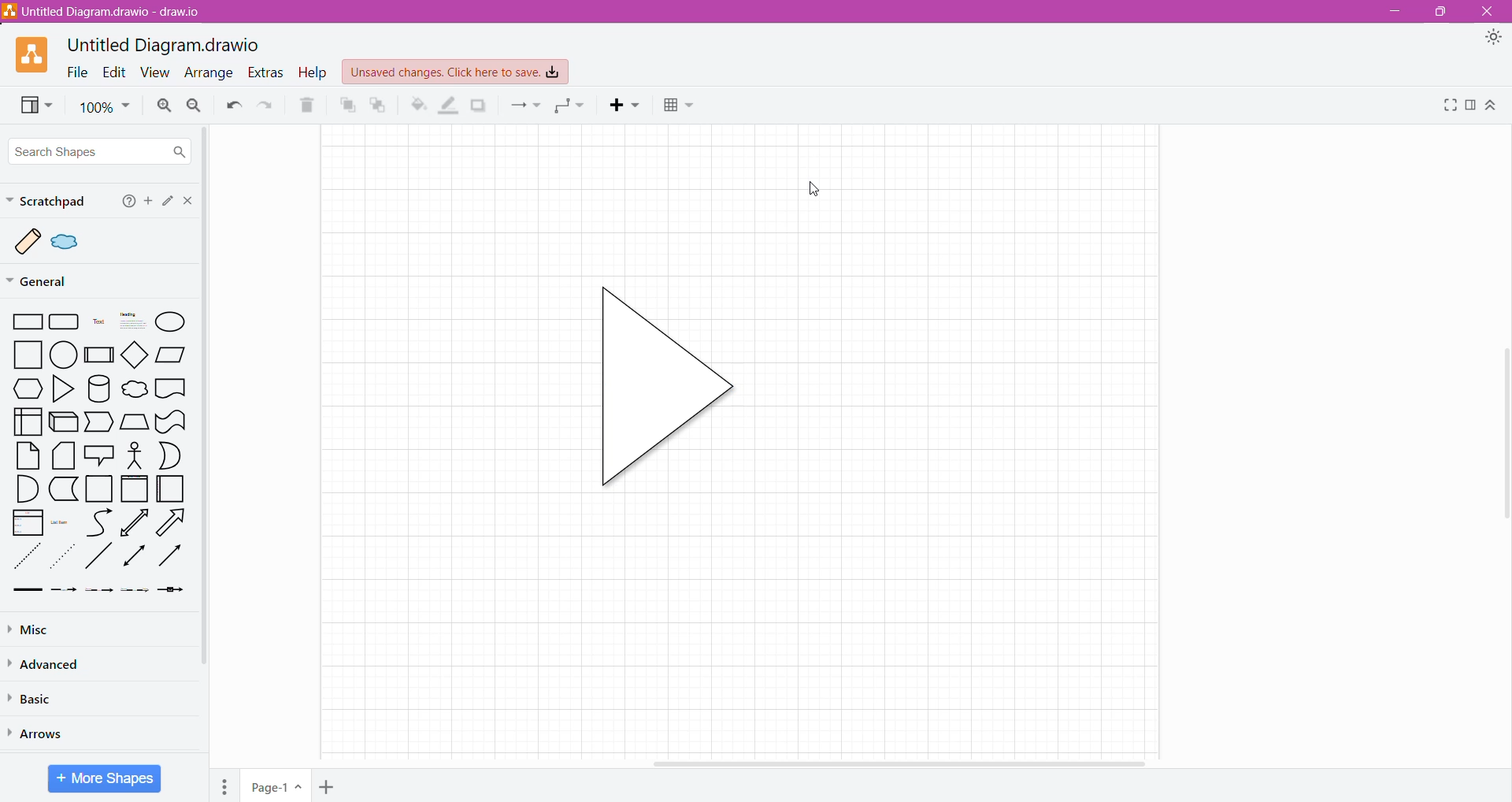 The width and height of the screenshot is (1512, 802). I want to click on Insert, so click(626, 106).